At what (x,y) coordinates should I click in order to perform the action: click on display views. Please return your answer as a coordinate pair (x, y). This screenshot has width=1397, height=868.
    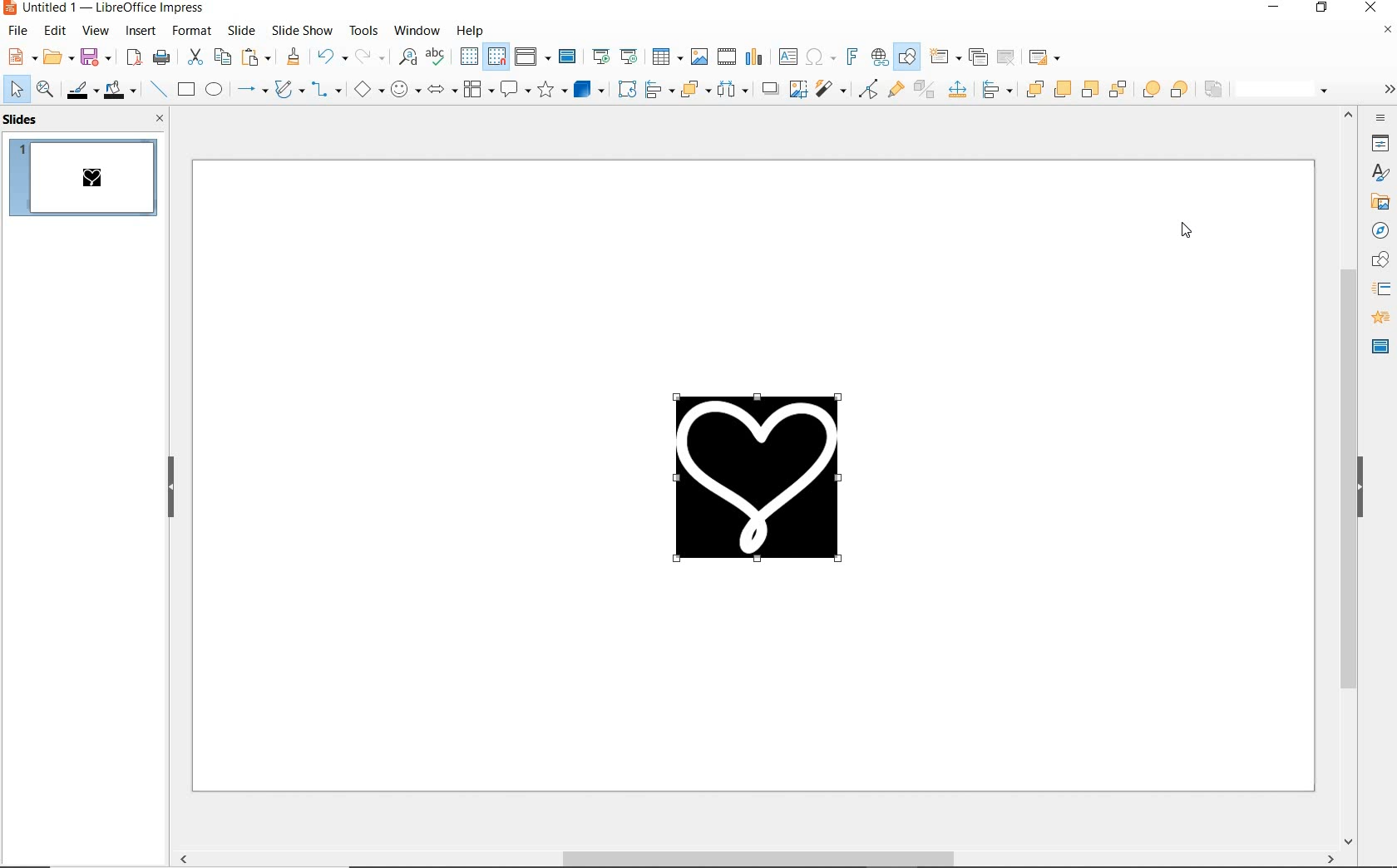
    Looking at the image, I should click on (532, 57).